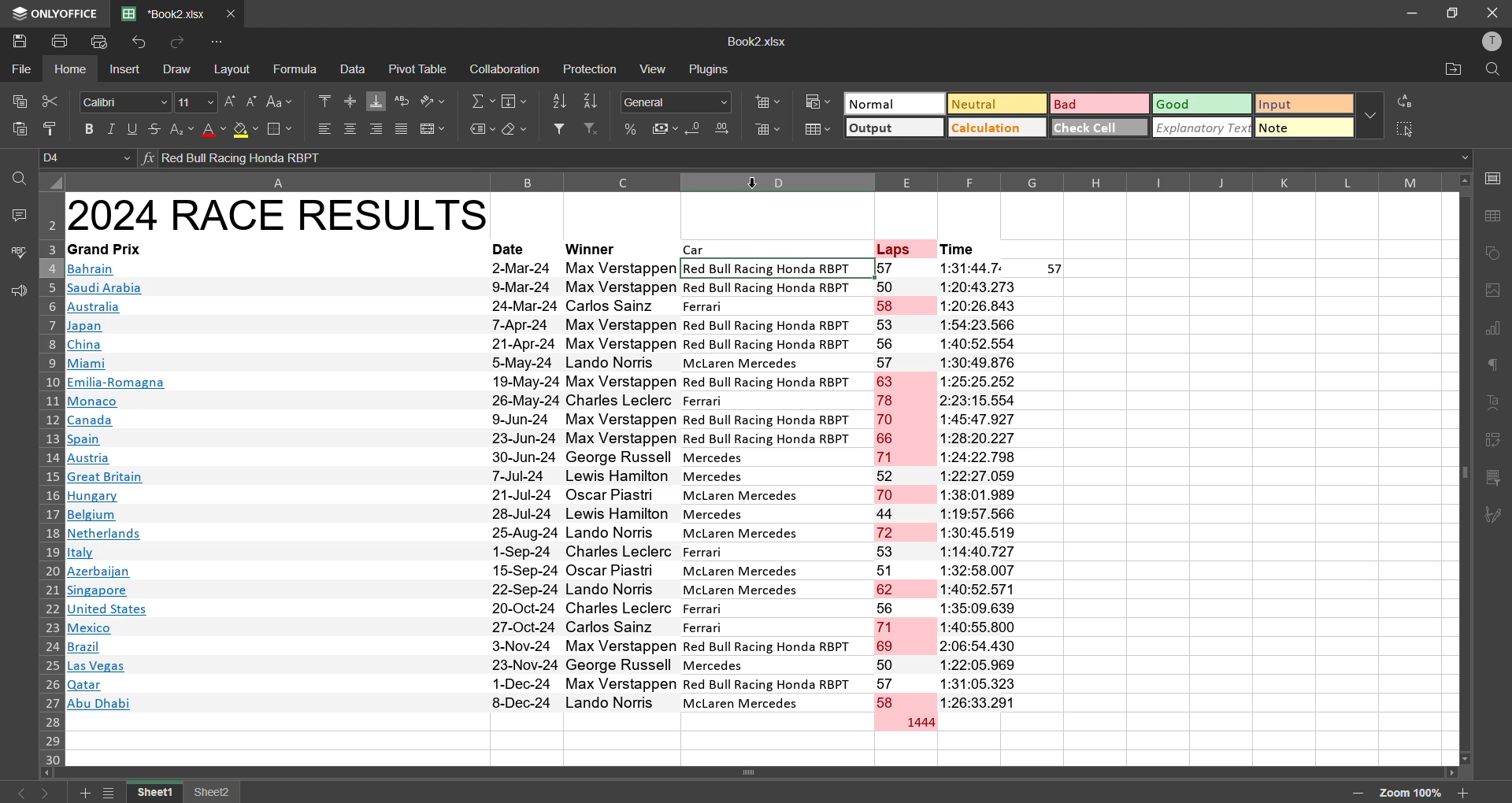 Image resolution: width=1512 pixels, height=803 pixels. Describe the element at coordinates (622, 487) in the screenshot. I see `Racer’s name` at that location.